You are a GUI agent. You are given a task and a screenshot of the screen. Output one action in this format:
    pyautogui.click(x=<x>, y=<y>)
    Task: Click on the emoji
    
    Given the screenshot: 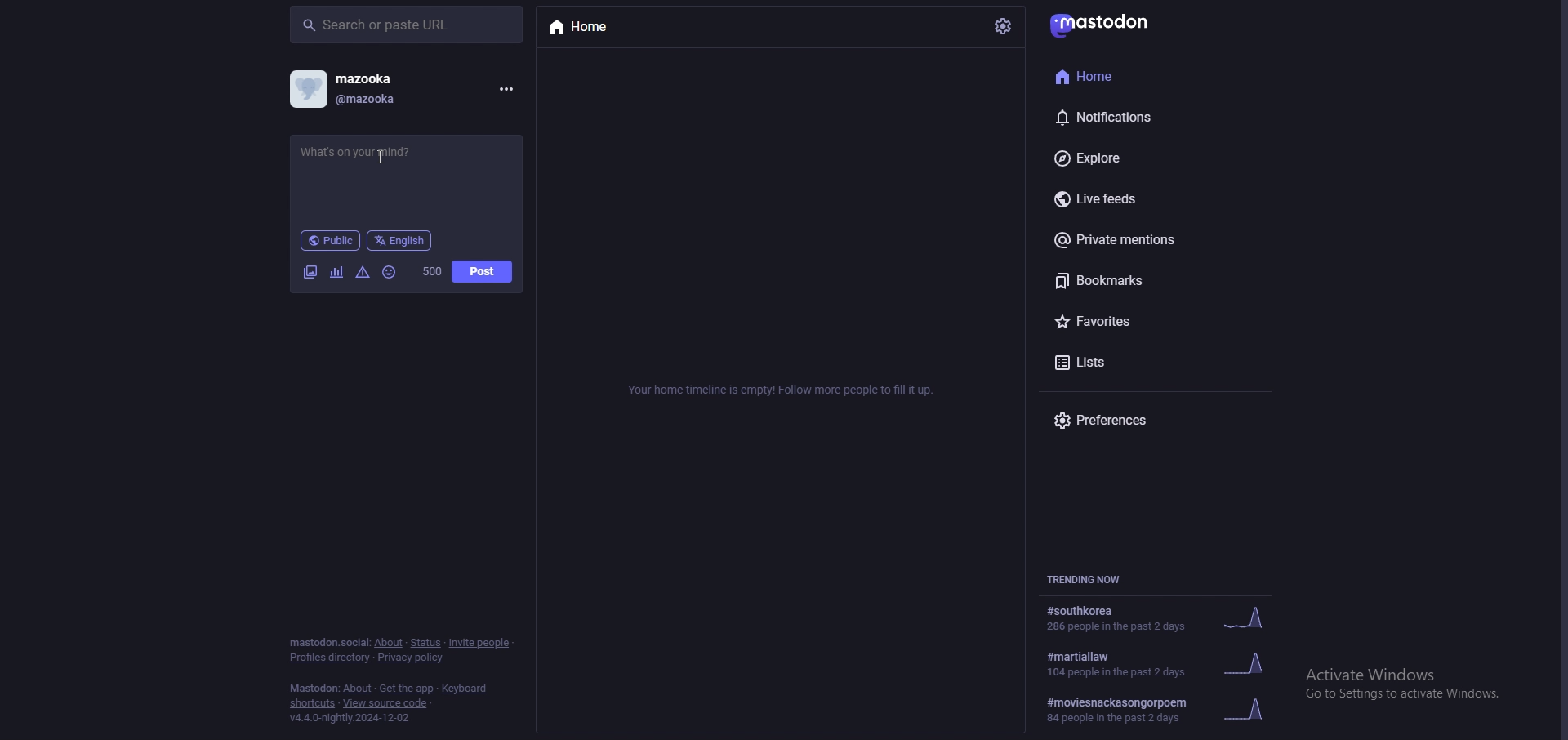 What is the action you would take?
    pyautogui.click(x=390, y=273)
    